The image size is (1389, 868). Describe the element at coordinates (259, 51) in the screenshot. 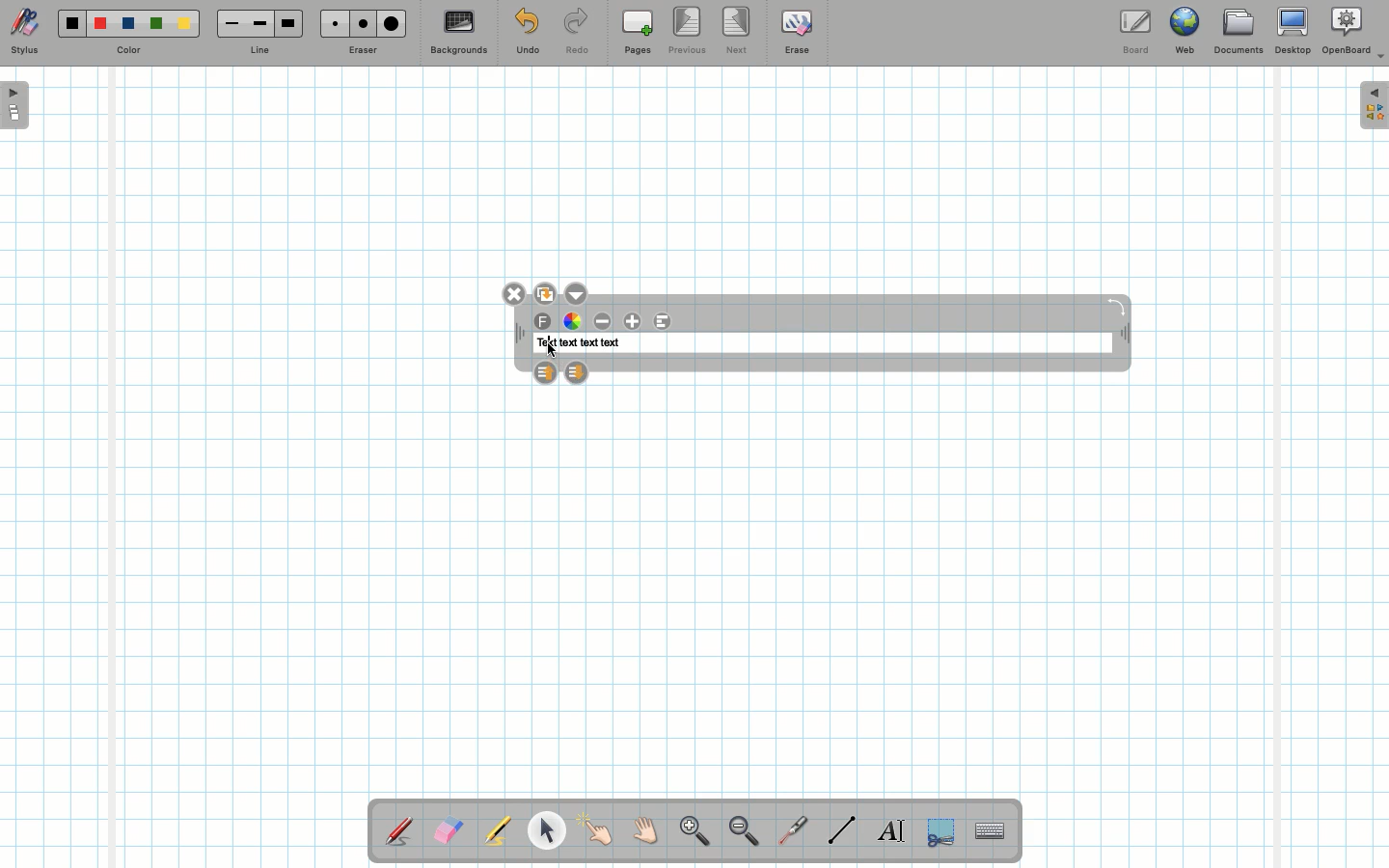

I see `Line` at that location.